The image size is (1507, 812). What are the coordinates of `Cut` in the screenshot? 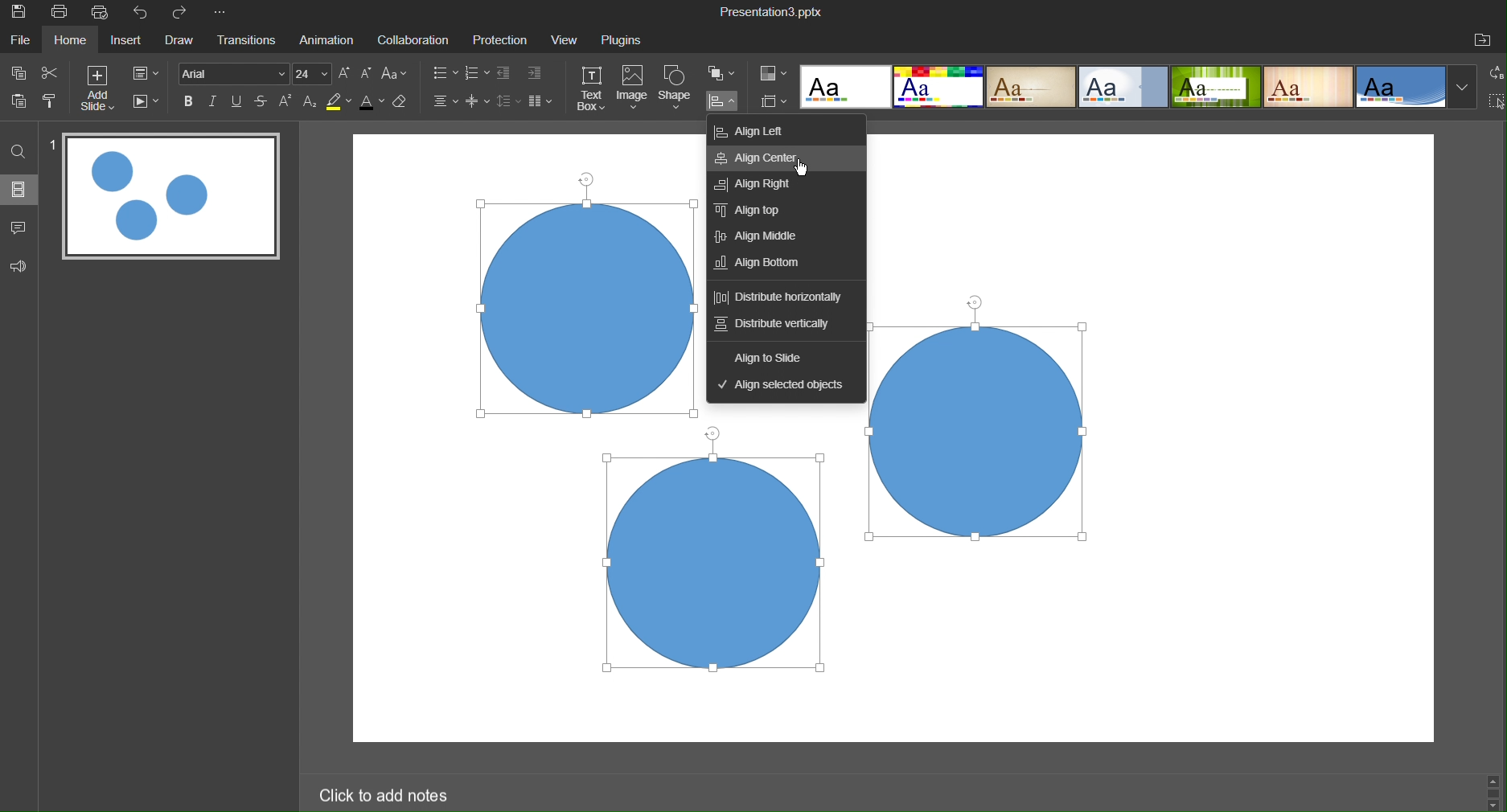 It's located at (59, 76).